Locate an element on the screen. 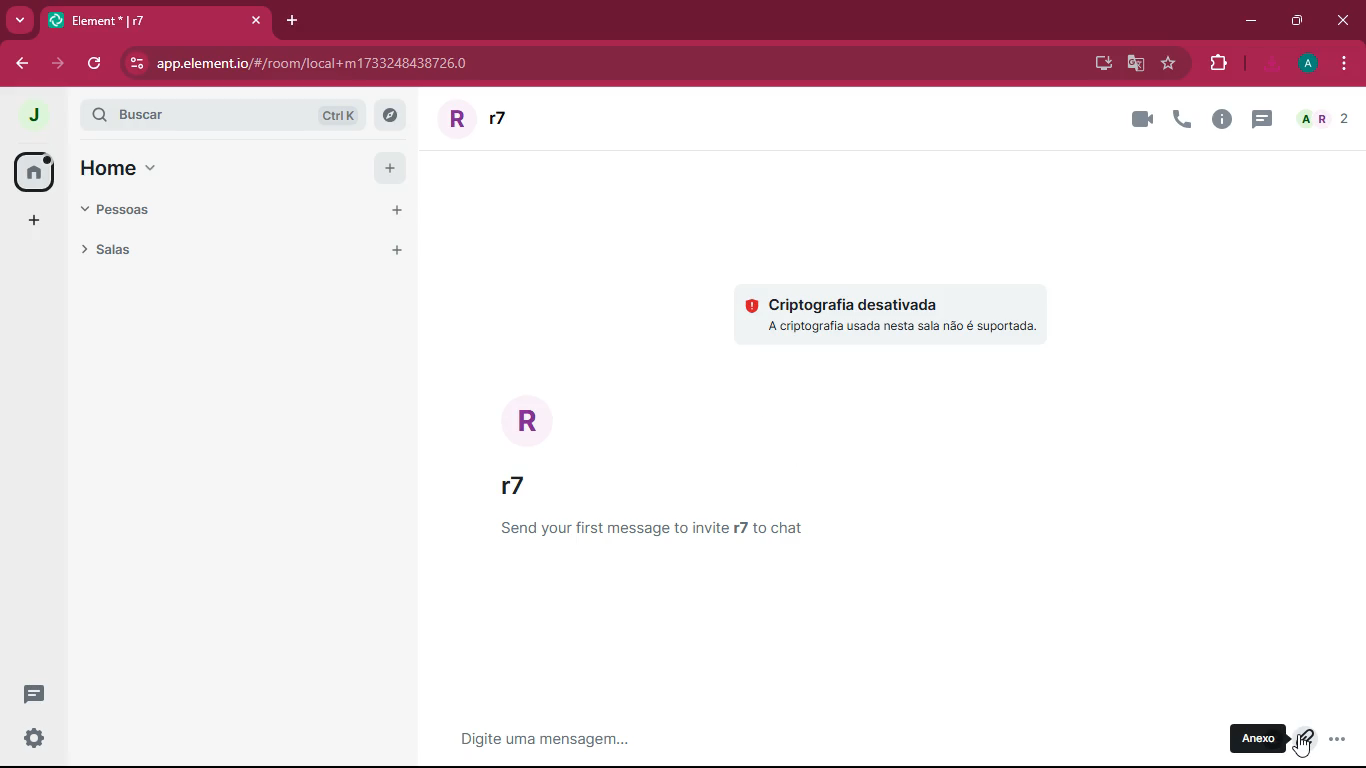 Image resolution: width=1366 pixels, height=768 pixels. home is located at coordinates (139, 167).